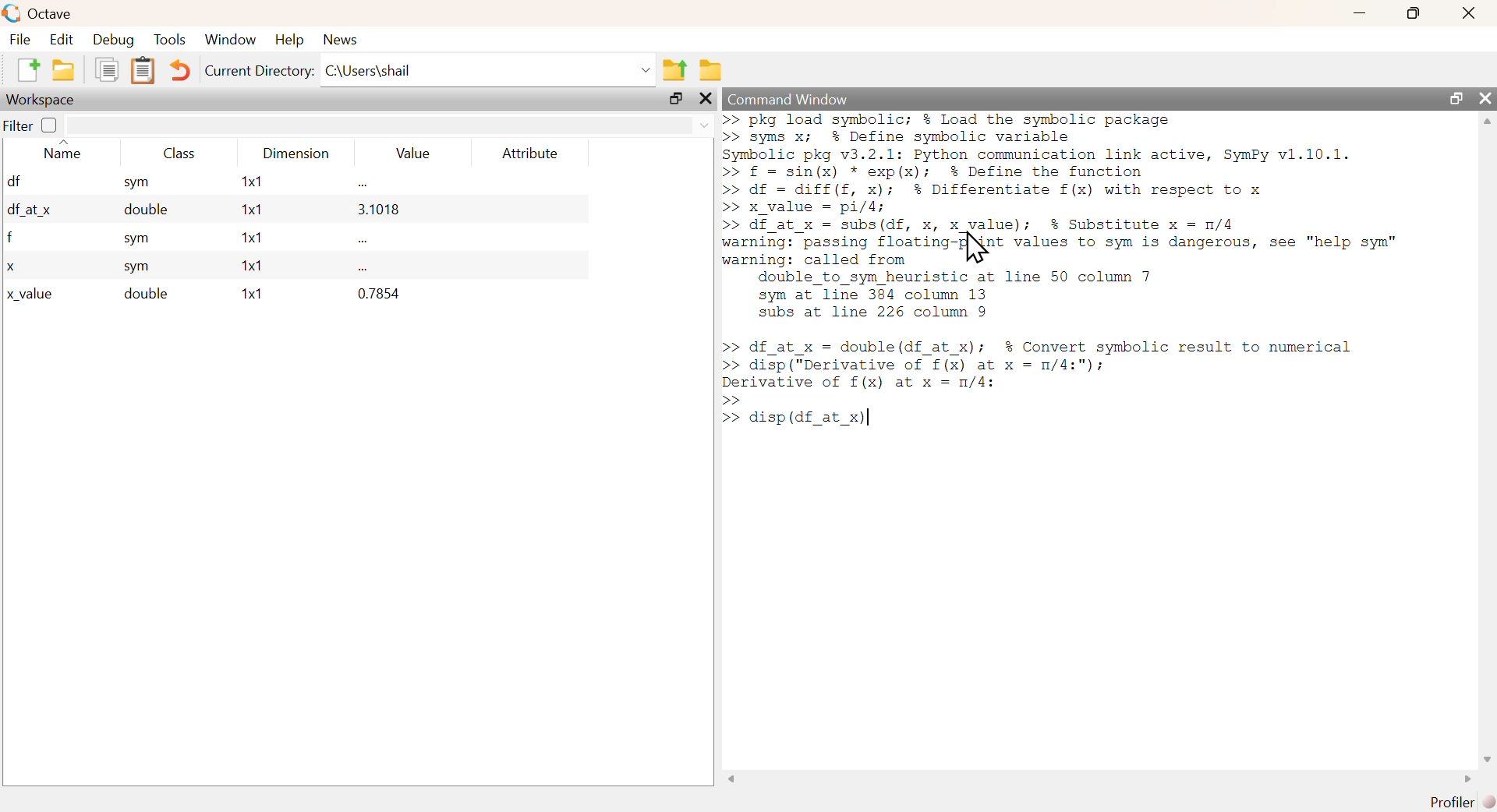 This screenshot has width=1497, height=812. I want to click on New Script, so click(31, 69).